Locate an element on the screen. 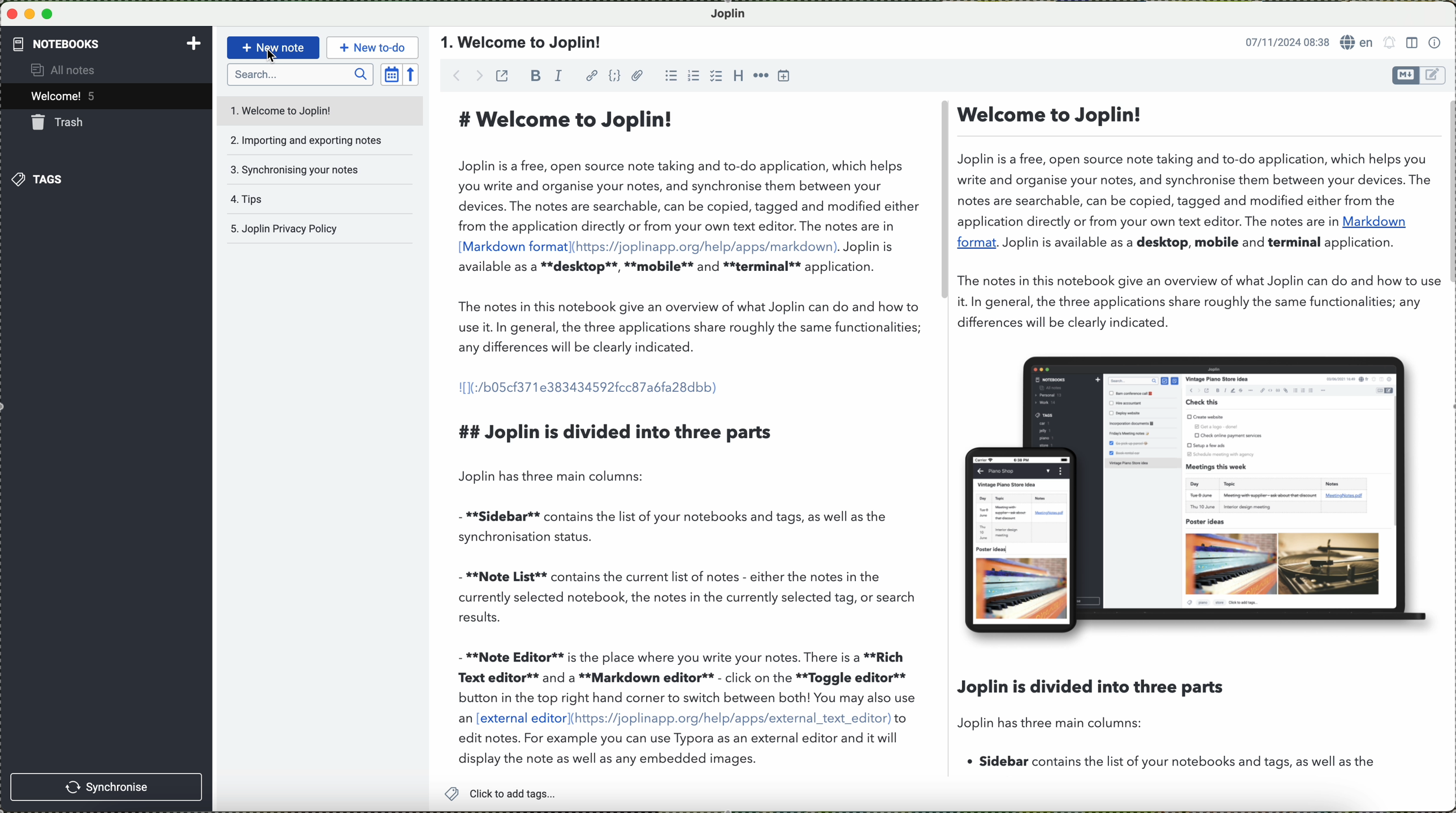  toggle external editing is located at coordinates (502, 75).